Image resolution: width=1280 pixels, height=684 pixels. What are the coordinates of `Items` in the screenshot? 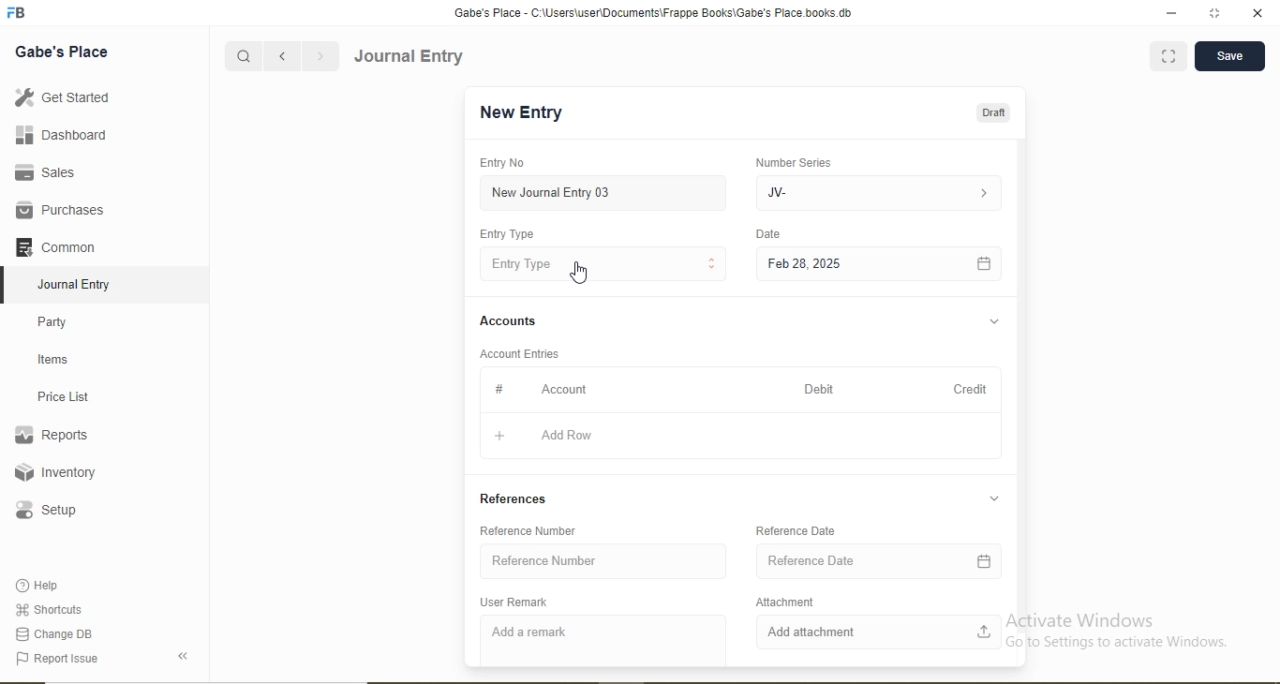 It's located at (53, 359).